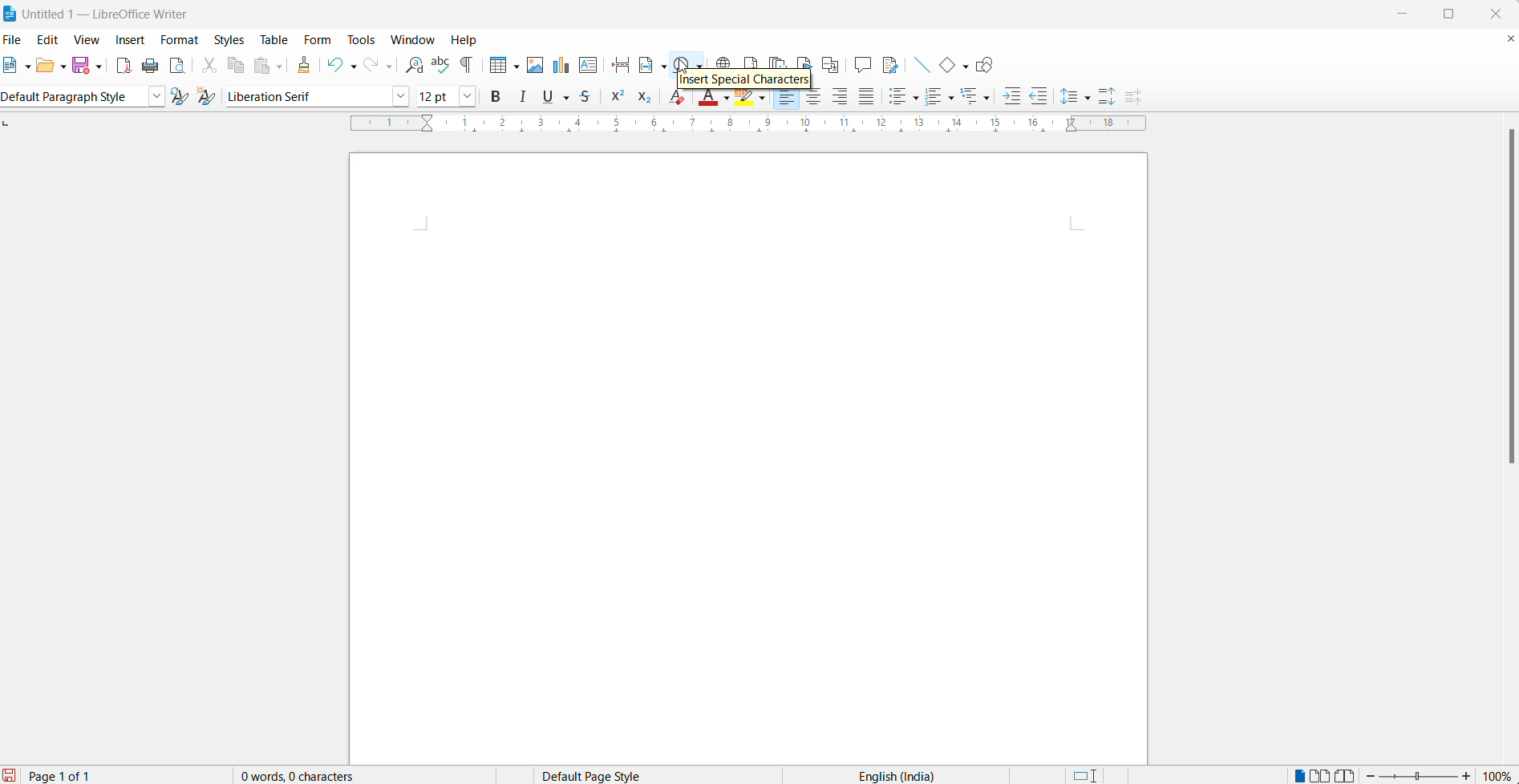 This screenshot has width=1519, height=784. What do you see at coordinates (207, 98) in the screenshot?
I see `create new style from selection` at bounding box center [207, 98].